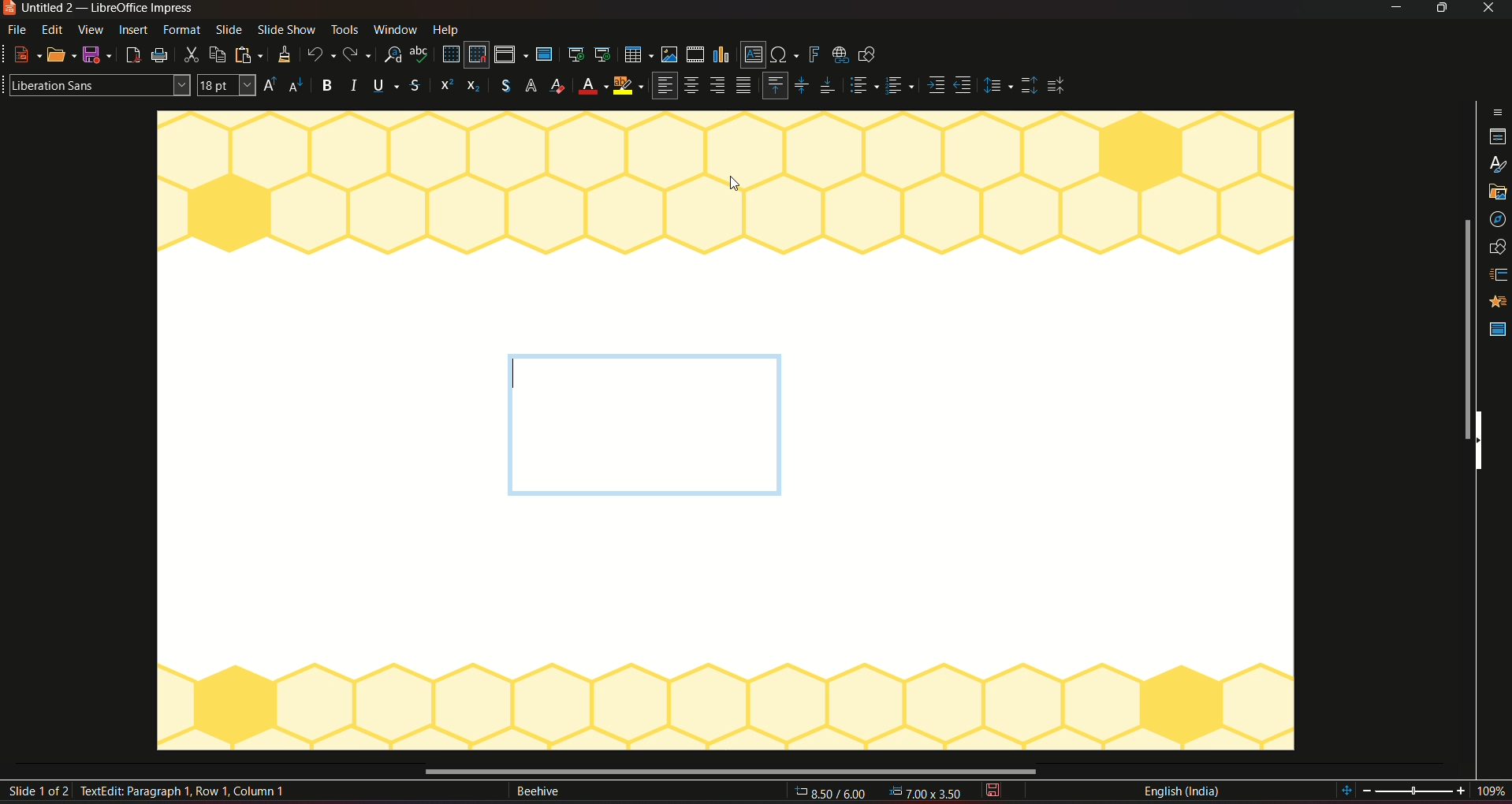  Describe the element at coordinates (828, 86) in the screenshot. I see `Align bottom` at that location.